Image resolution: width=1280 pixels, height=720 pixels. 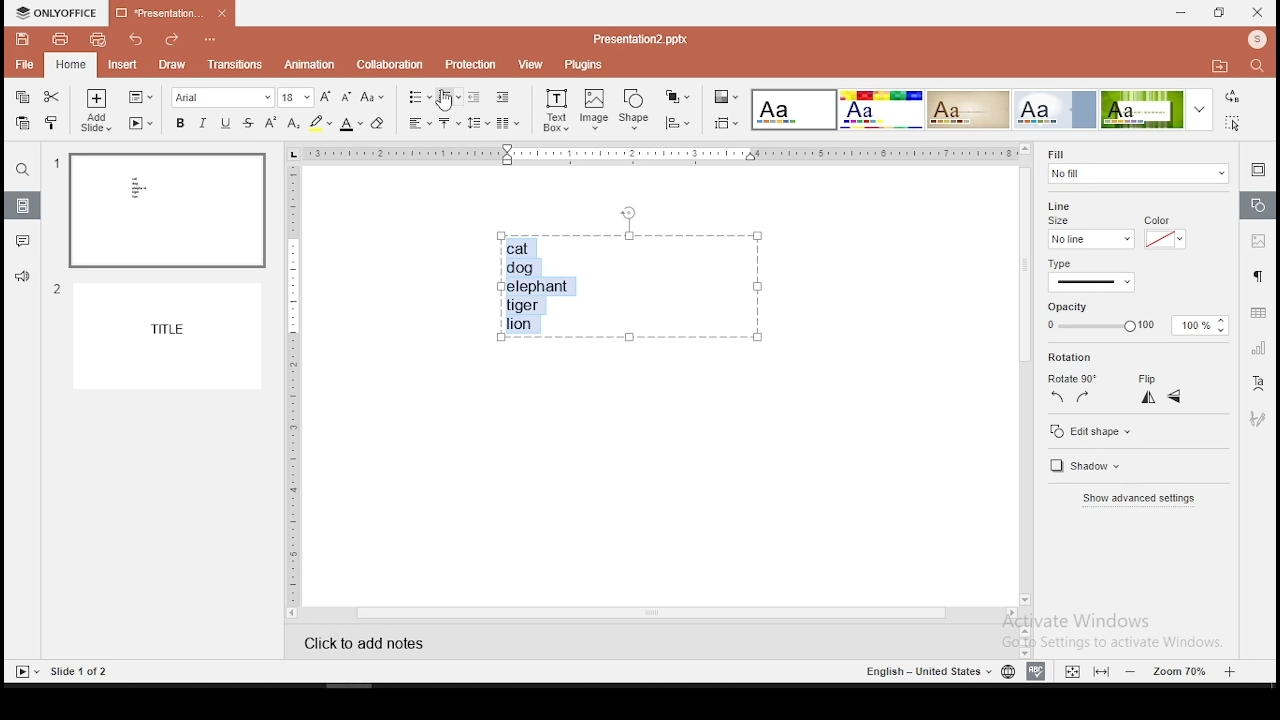 What do you see at coordinates (377, 640) in the screenshot?
I see `click to add notes` at bounding box center [377, 640].